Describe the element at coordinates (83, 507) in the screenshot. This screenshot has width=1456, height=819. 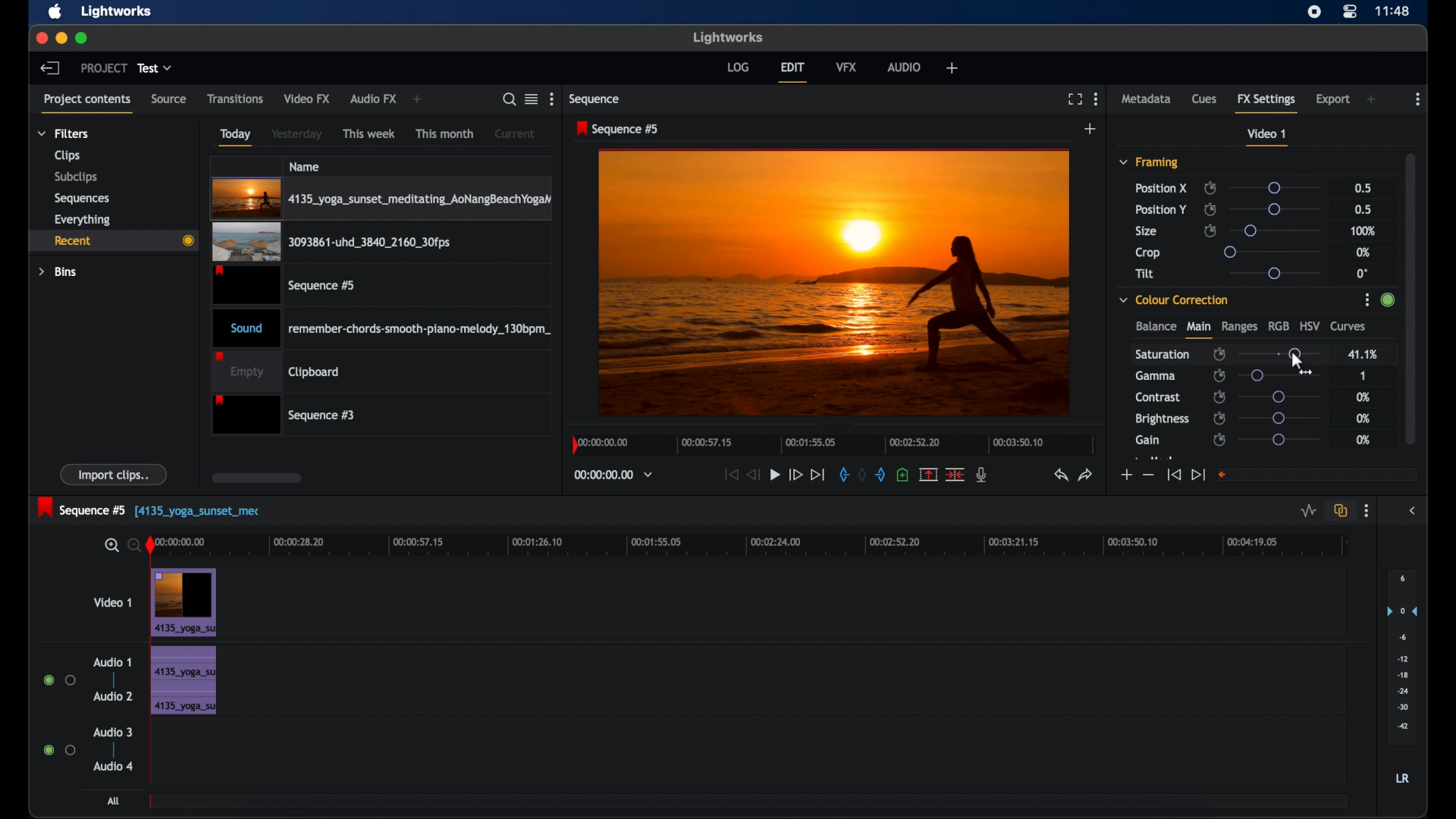
I see `sequence 5` at that location.